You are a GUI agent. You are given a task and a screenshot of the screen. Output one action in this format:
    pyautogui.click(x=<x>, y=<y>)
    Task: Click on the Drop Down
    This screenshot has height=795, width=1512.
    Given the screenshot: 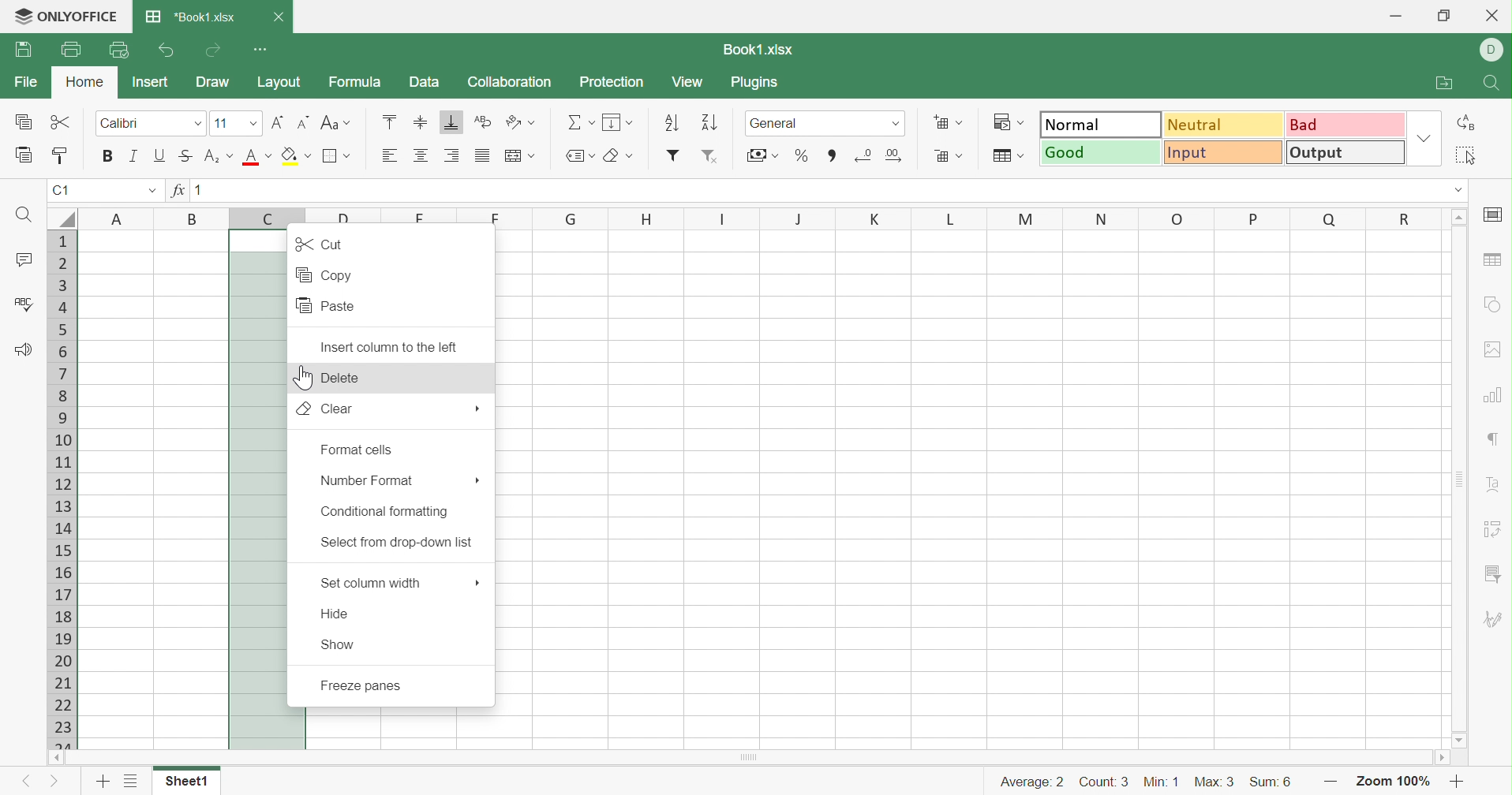 What is the action you would take?
    pyautogui.click(x=532, y=155)
    